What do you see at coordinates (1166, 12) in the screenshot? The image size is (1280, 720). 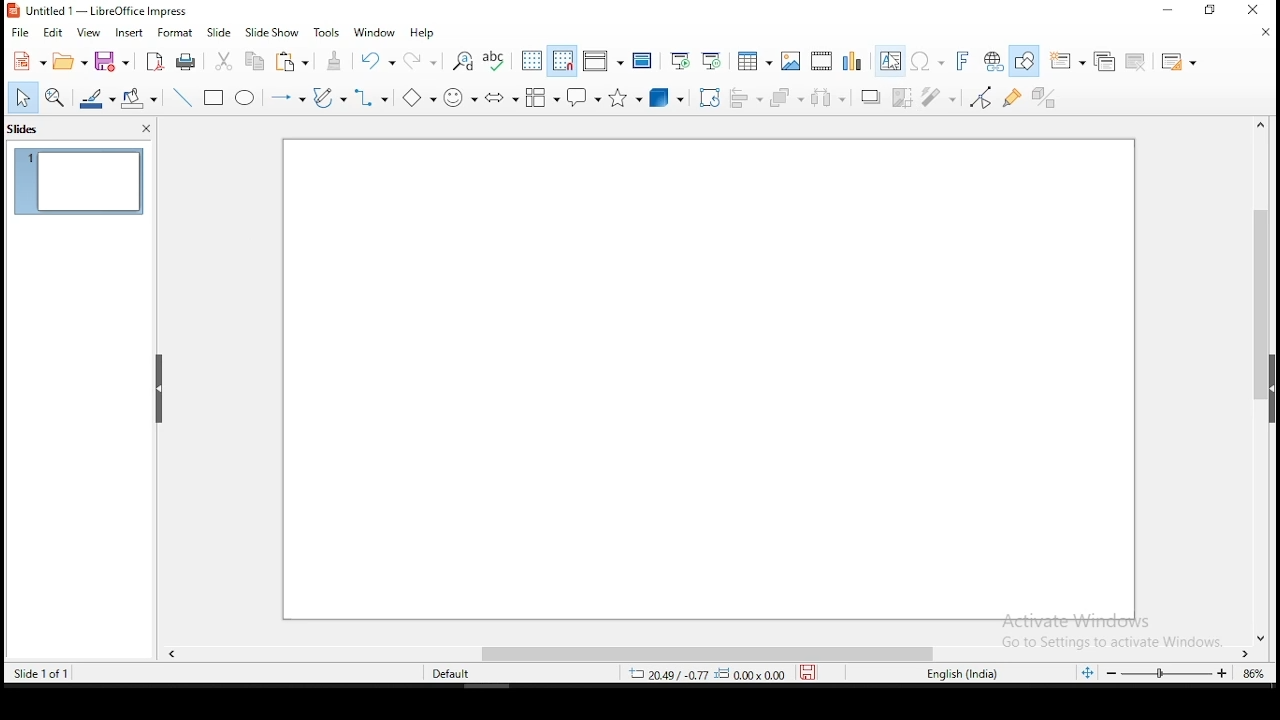 I see `minimize` at bounding box center [1166, 12].